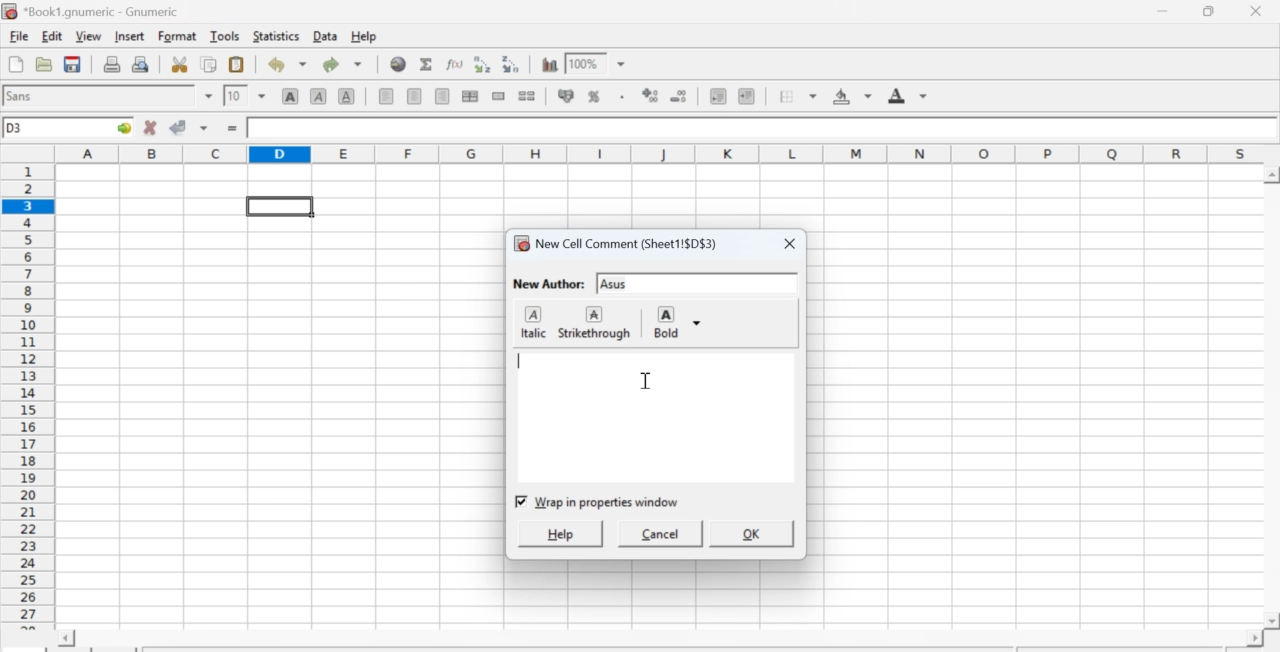  I want to click on ok, so click(754, 534).